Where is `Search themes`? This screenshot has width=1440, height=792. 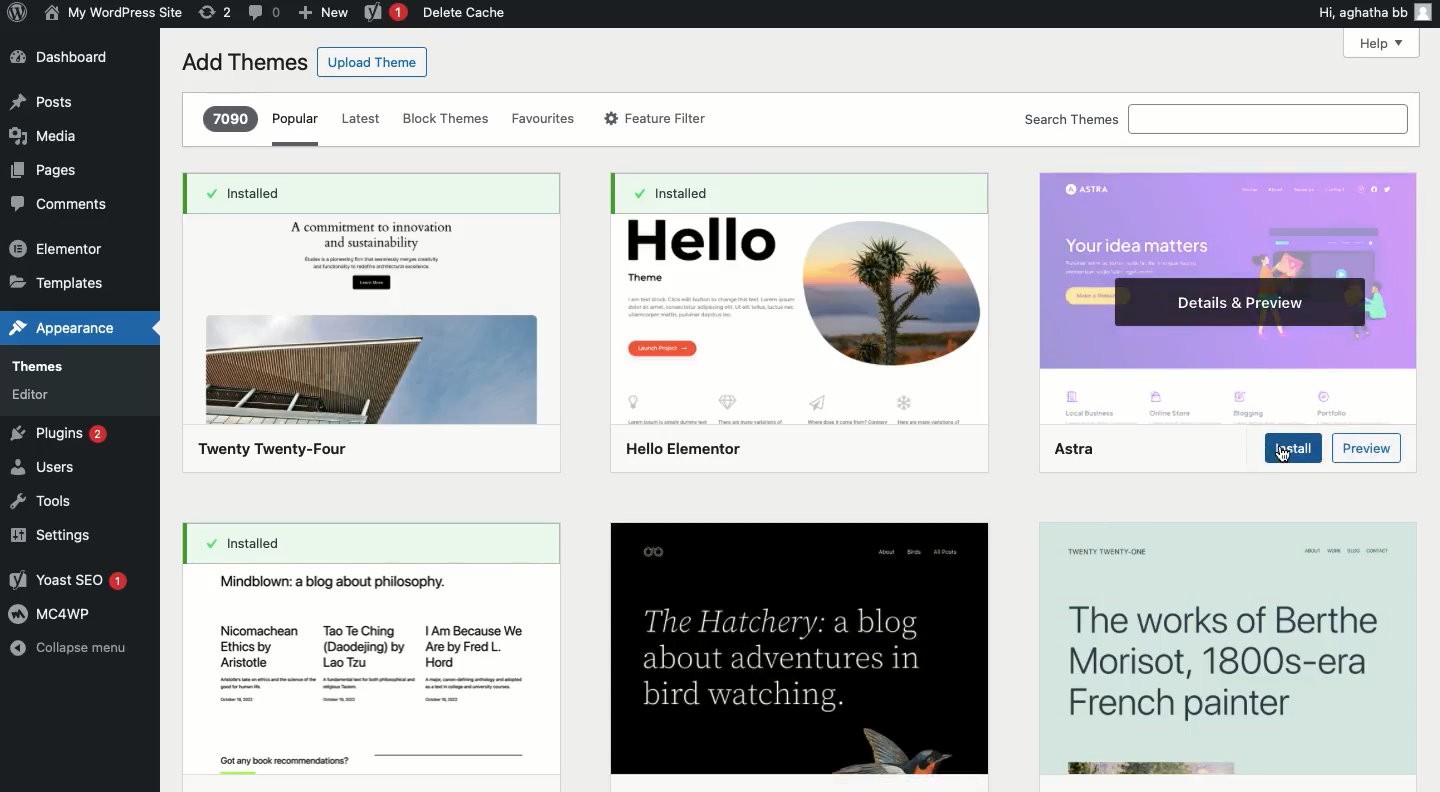 Search themes is located at coordinates (1214, 119).